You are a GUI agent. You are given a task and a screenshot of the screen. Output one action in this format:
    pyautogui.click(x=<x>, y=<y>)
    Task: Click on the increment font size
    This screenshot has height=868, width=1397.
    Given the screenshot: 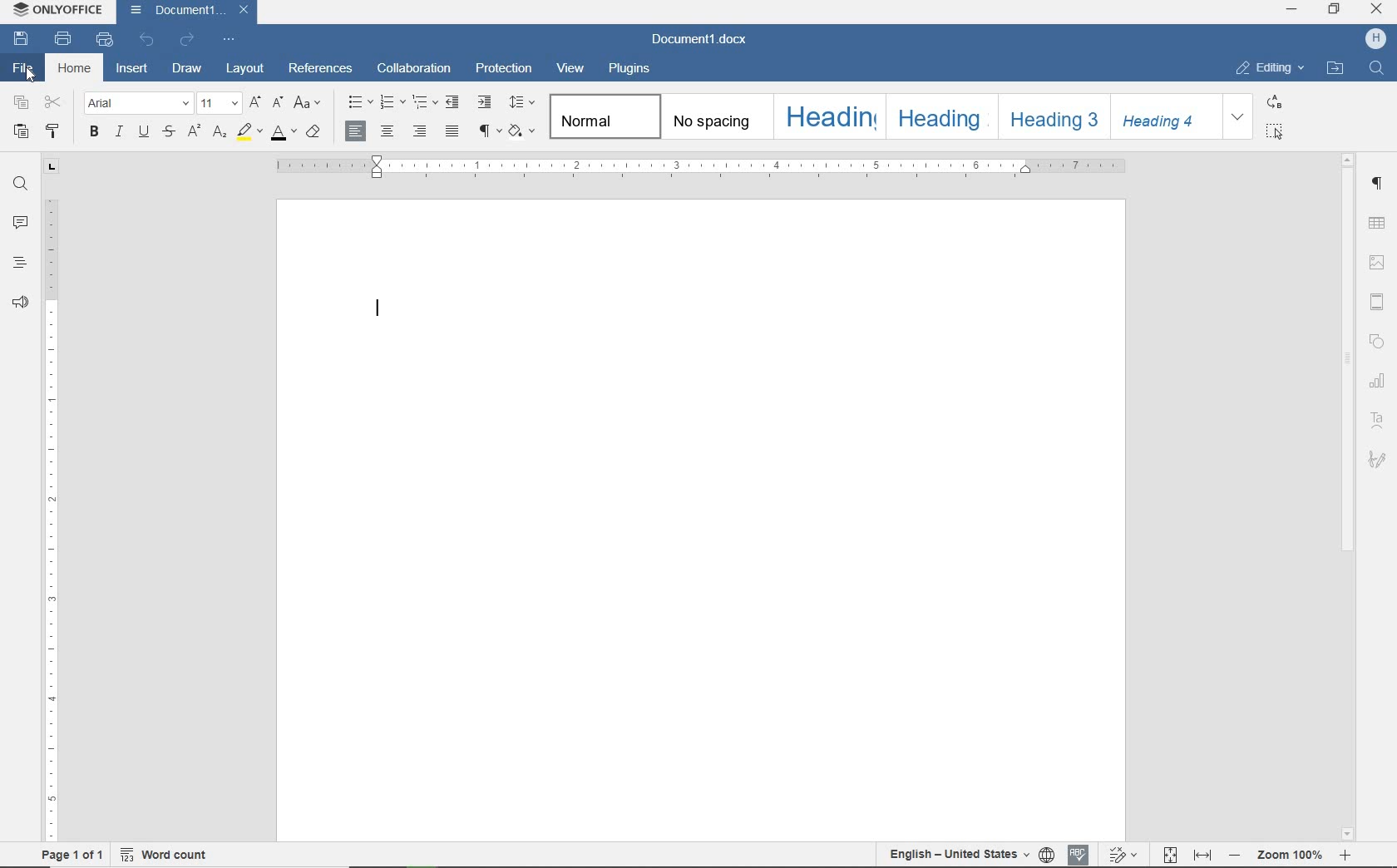 What is the action you would take?
    pyautogui.click(x=255, y=105)
    